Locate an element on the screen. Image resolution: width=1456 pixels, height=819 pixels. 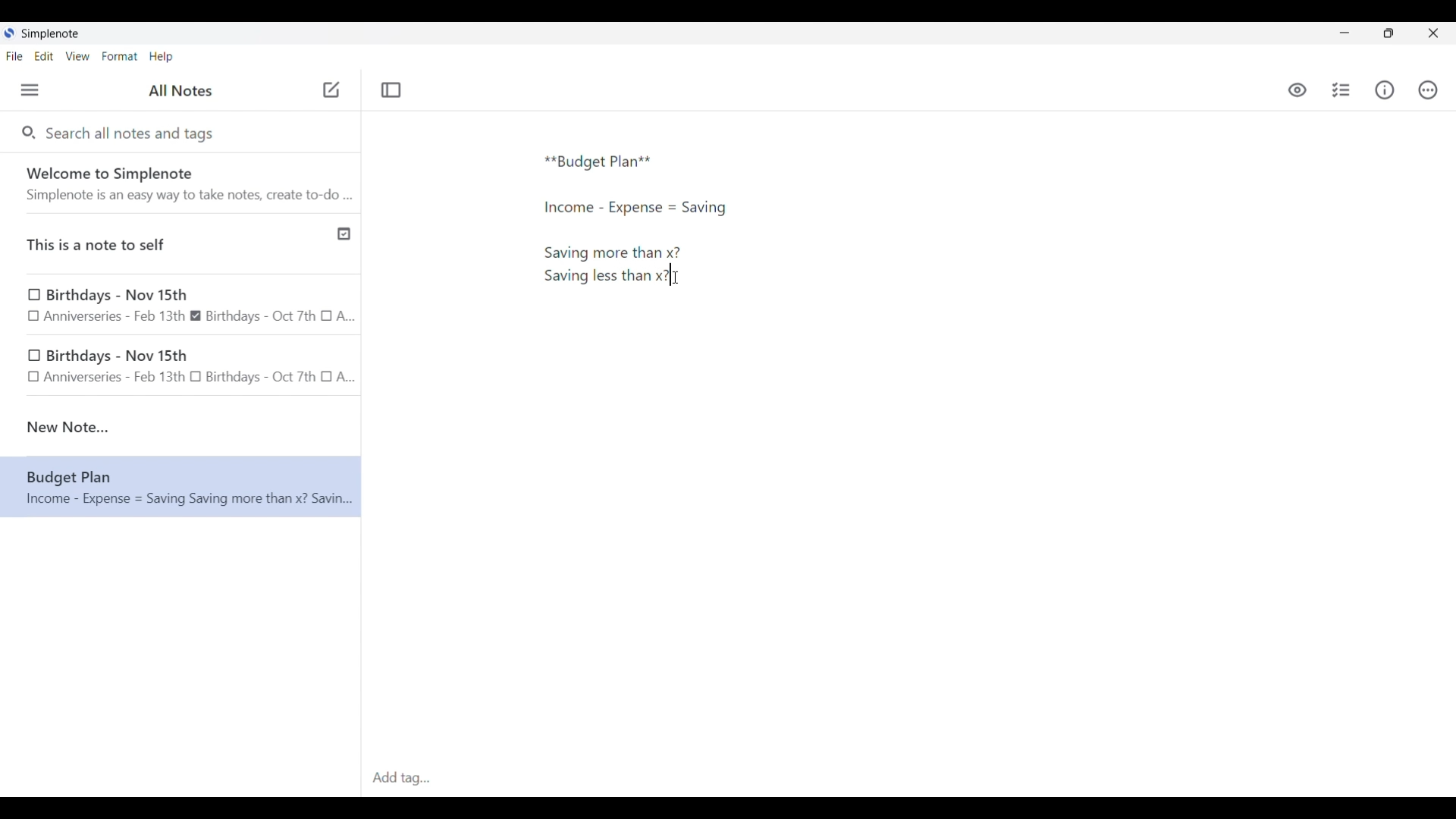
Text typed in is located at coordinates (598, 162).